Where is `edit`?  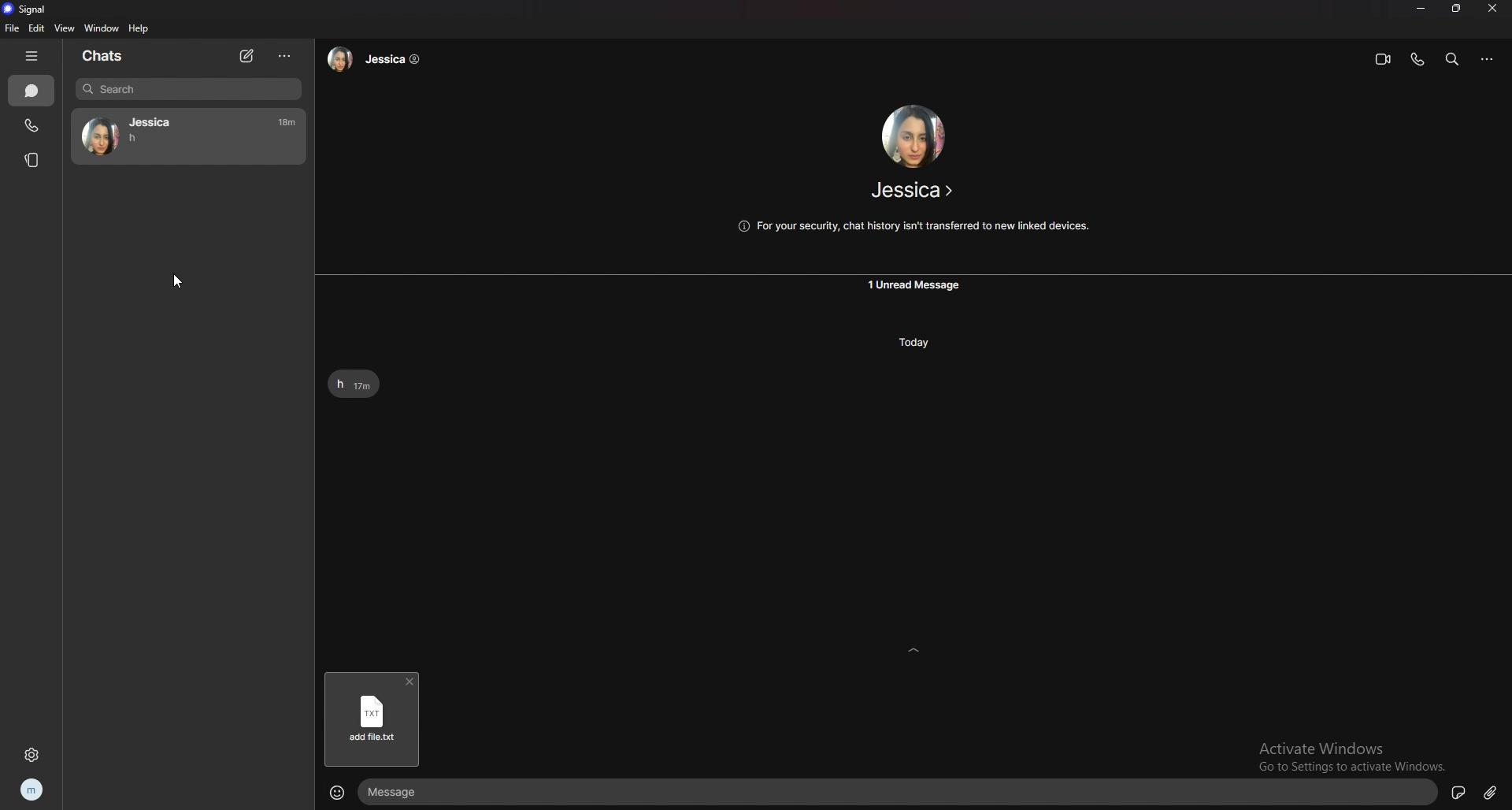 edit is located at coordinates (38, 28).